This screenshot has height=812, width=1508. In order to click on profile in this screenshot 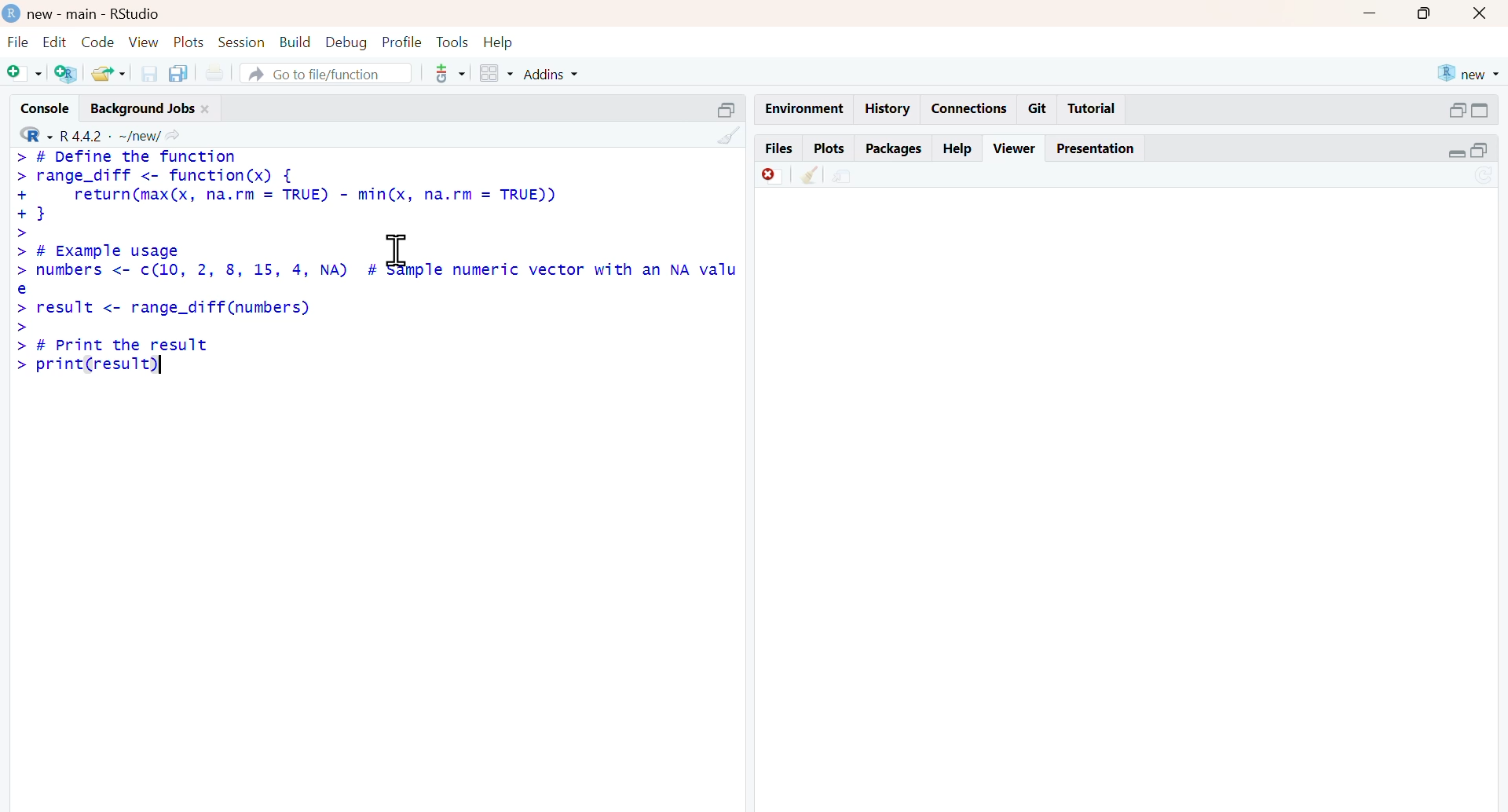, I will do `click(403, 43)`.